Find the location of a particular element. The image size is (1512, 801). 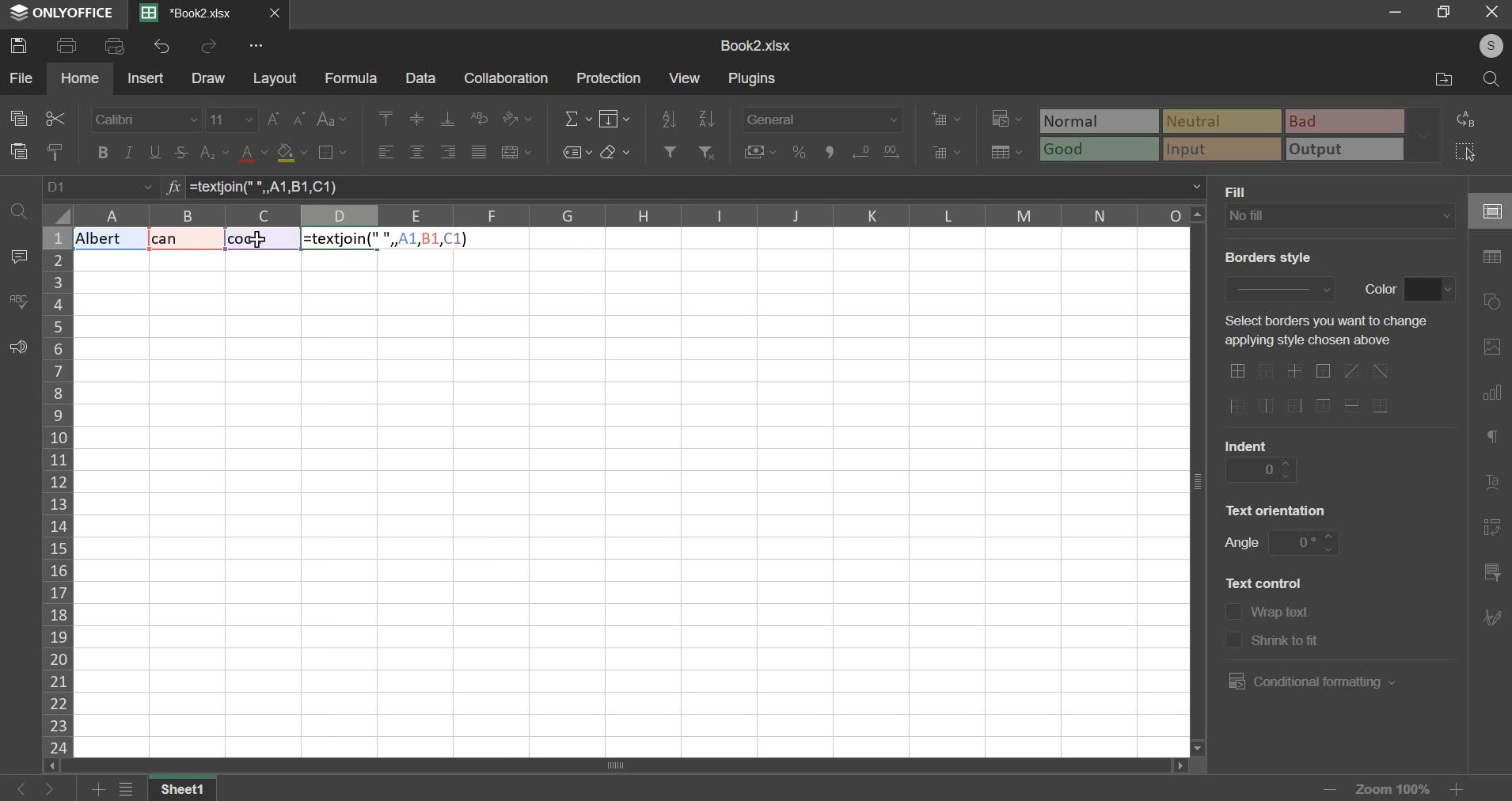

copy style is located at coordinates (56, 151).